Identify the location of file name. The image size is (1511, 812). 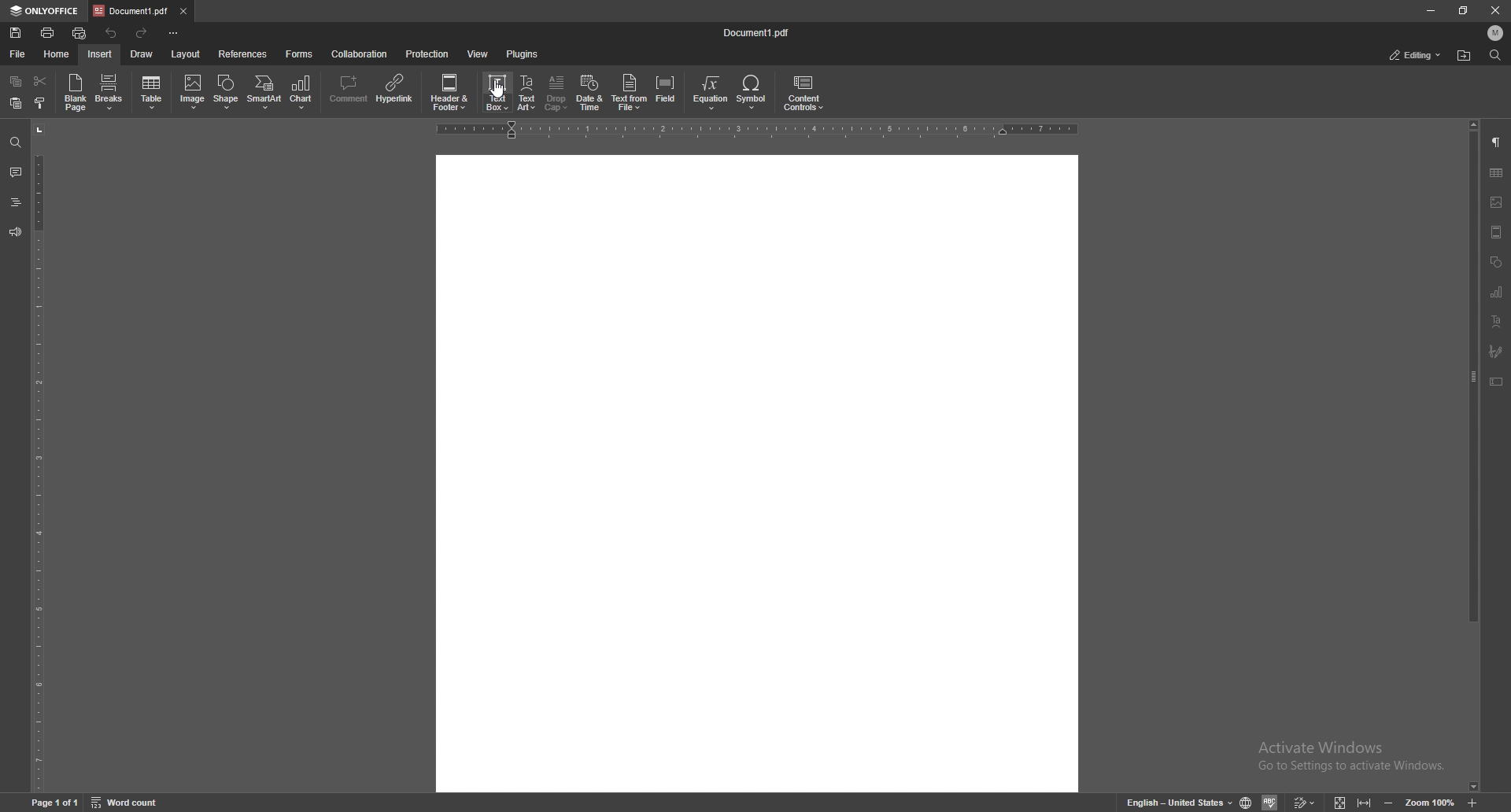
(758, 31).